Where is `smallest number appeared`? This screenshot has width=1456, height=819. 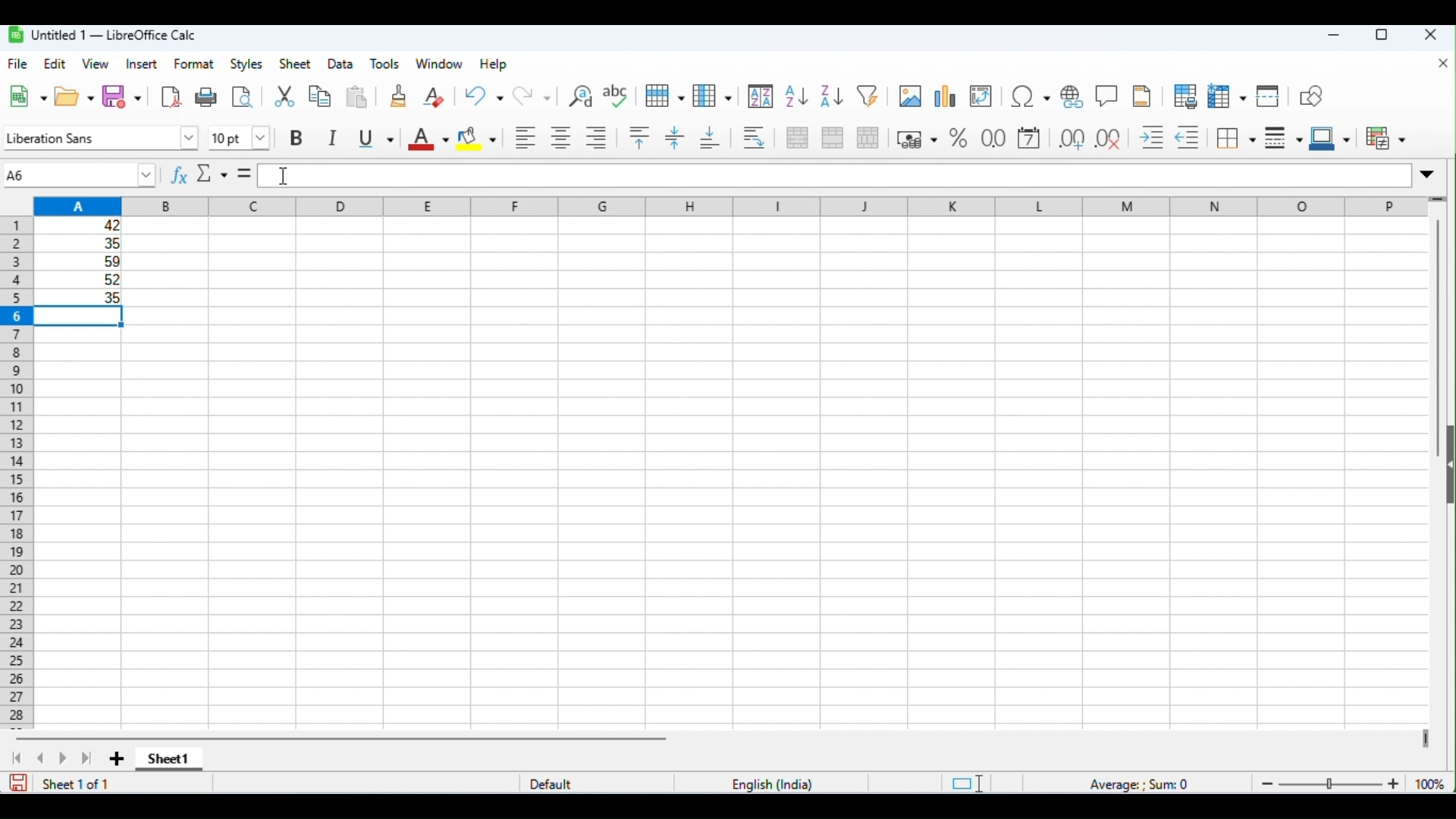
smallest number appeared is located at coordinates (80, 298).